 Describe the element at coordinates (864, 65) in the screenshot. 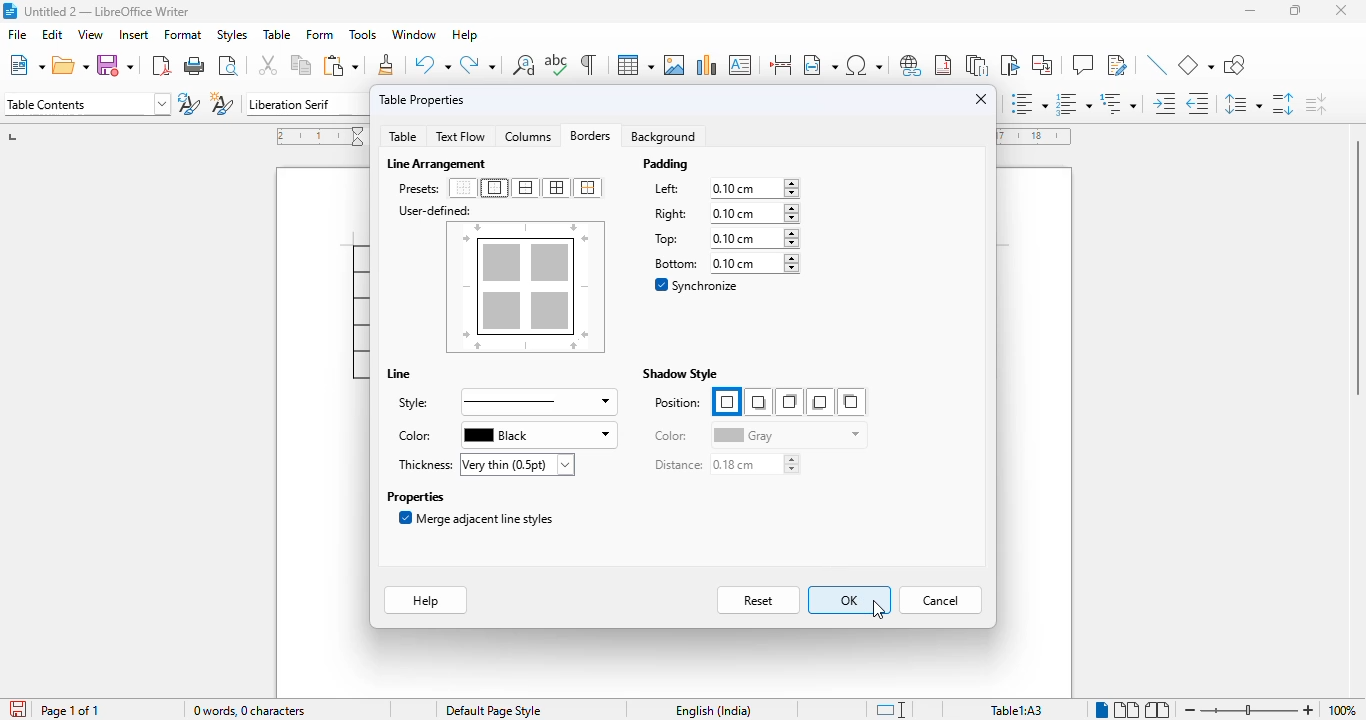

I see `insert special characters` at that location.